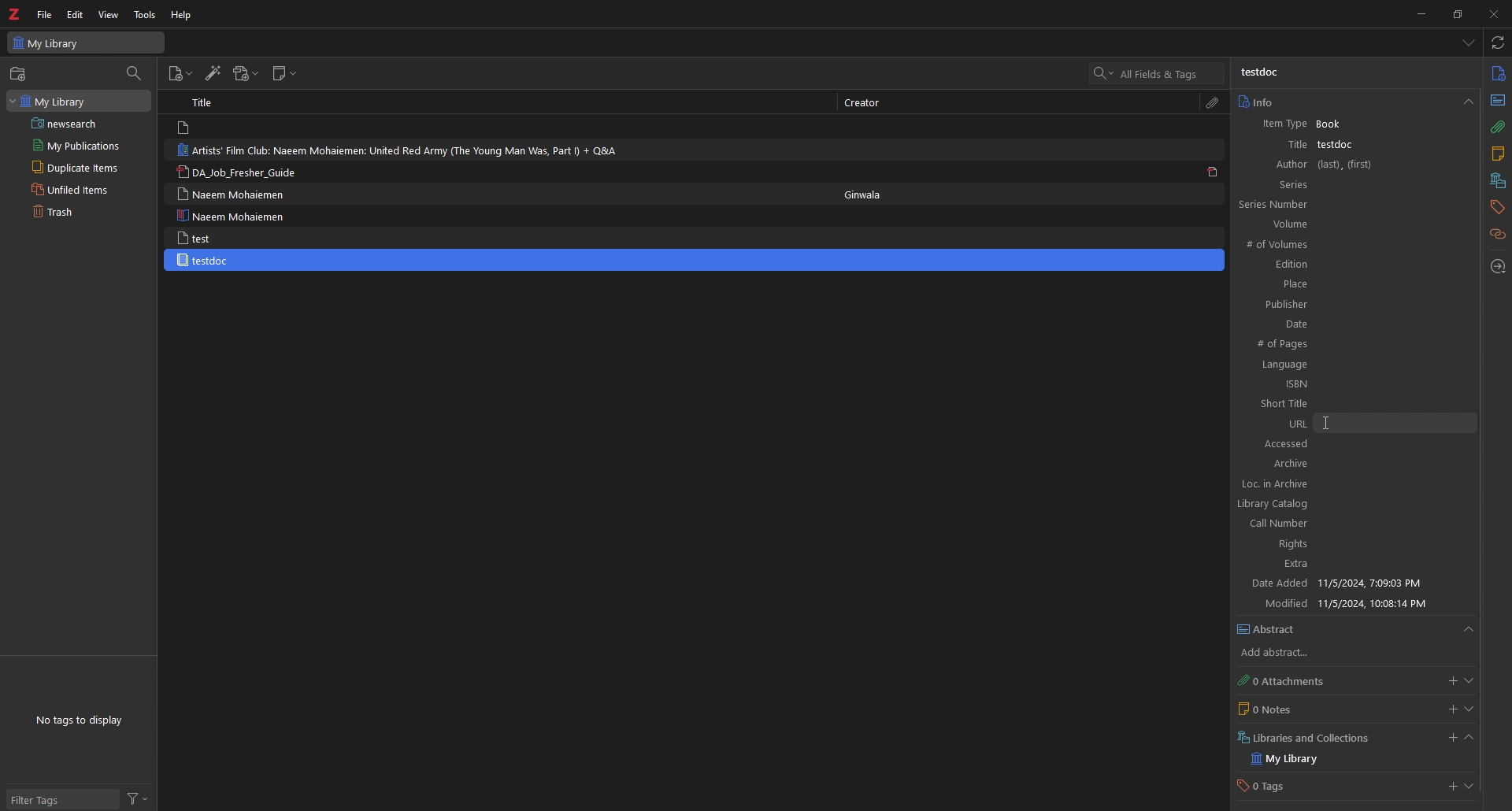  Describe the element at coordinates (209, 102) in the screenshot. I see `Title` at that location.